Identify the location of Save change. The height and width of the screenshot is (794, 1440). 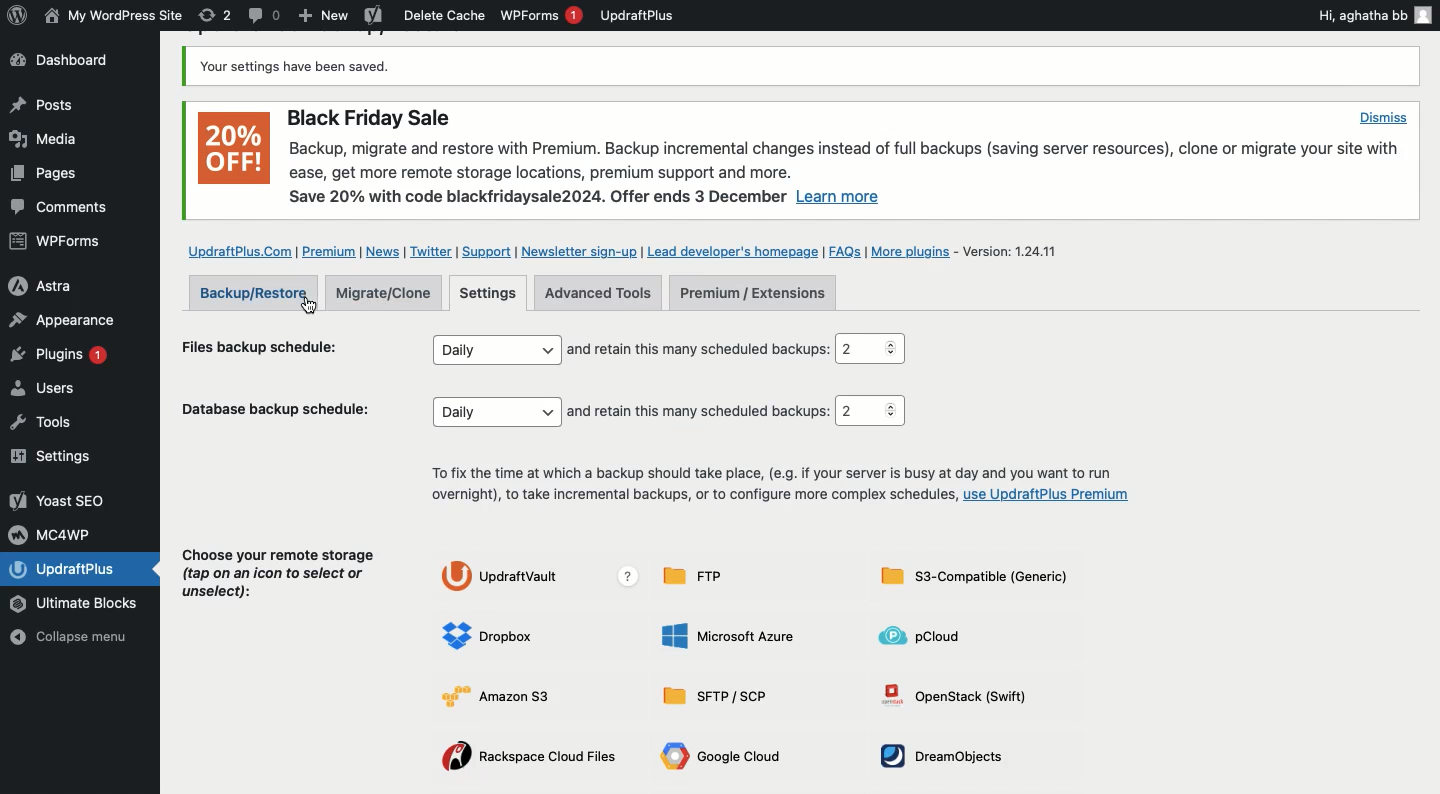
(1718, 61).